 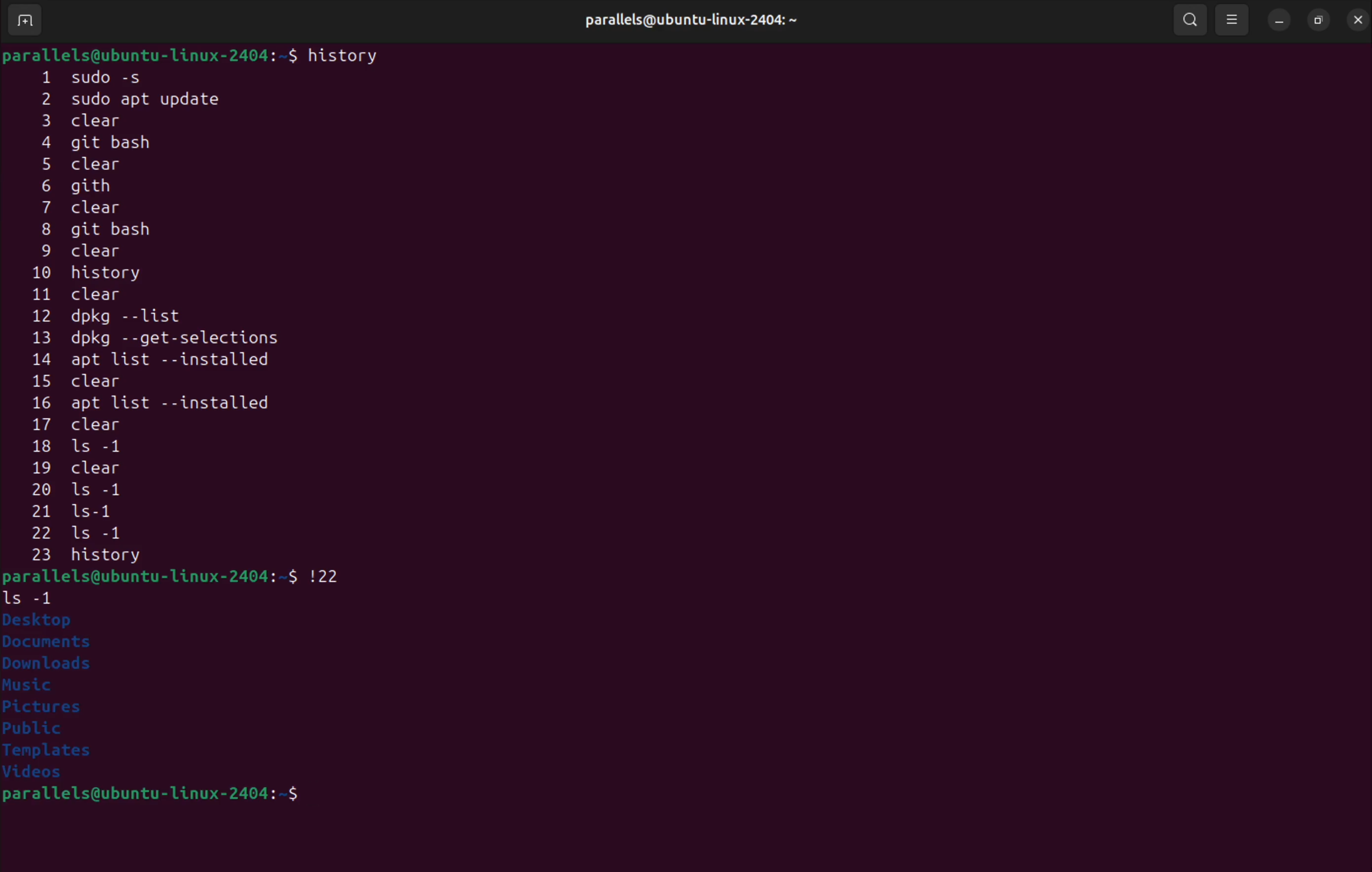 I want to click on search, so click(x=1189, y=19).